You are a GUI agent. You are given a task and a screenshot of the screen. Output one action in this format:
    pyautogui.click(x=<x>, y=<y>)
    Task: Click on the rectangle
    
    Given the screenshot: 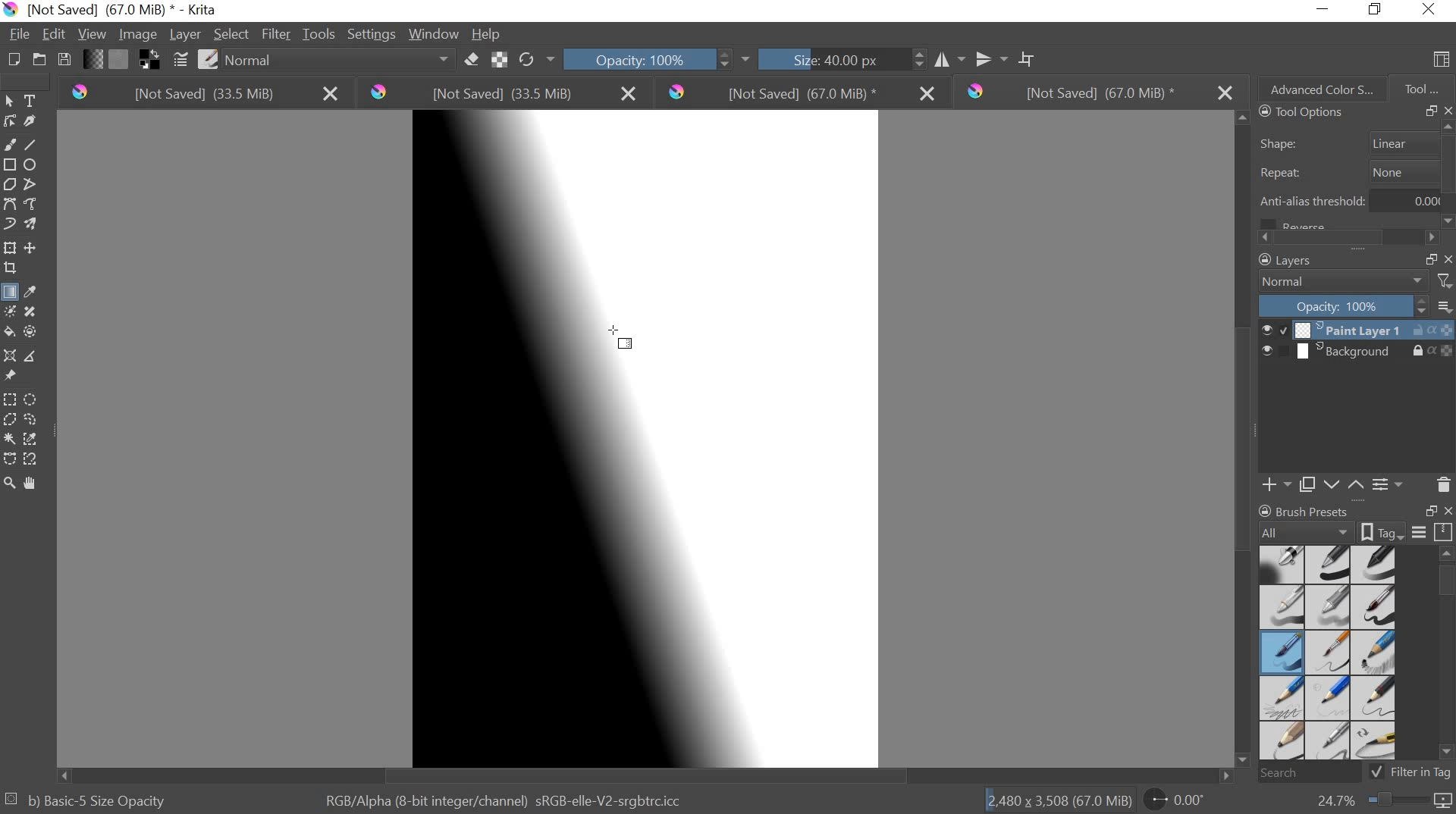 What is the action you would take?
    pyautogui.click(x=9, y=163)
    